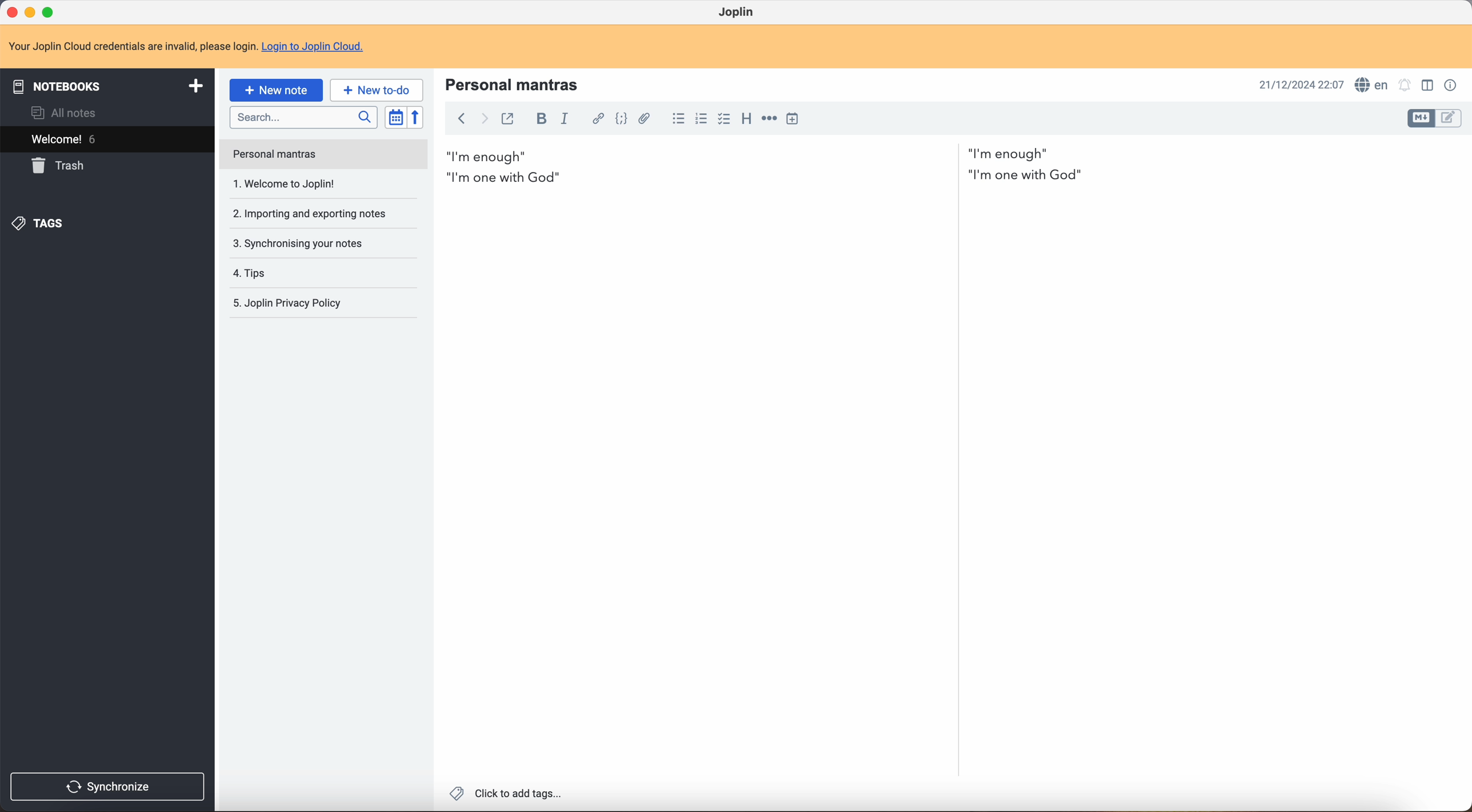 The width and height of the screenshot is (1472, 812). I want to click on note, so click(187, 47).